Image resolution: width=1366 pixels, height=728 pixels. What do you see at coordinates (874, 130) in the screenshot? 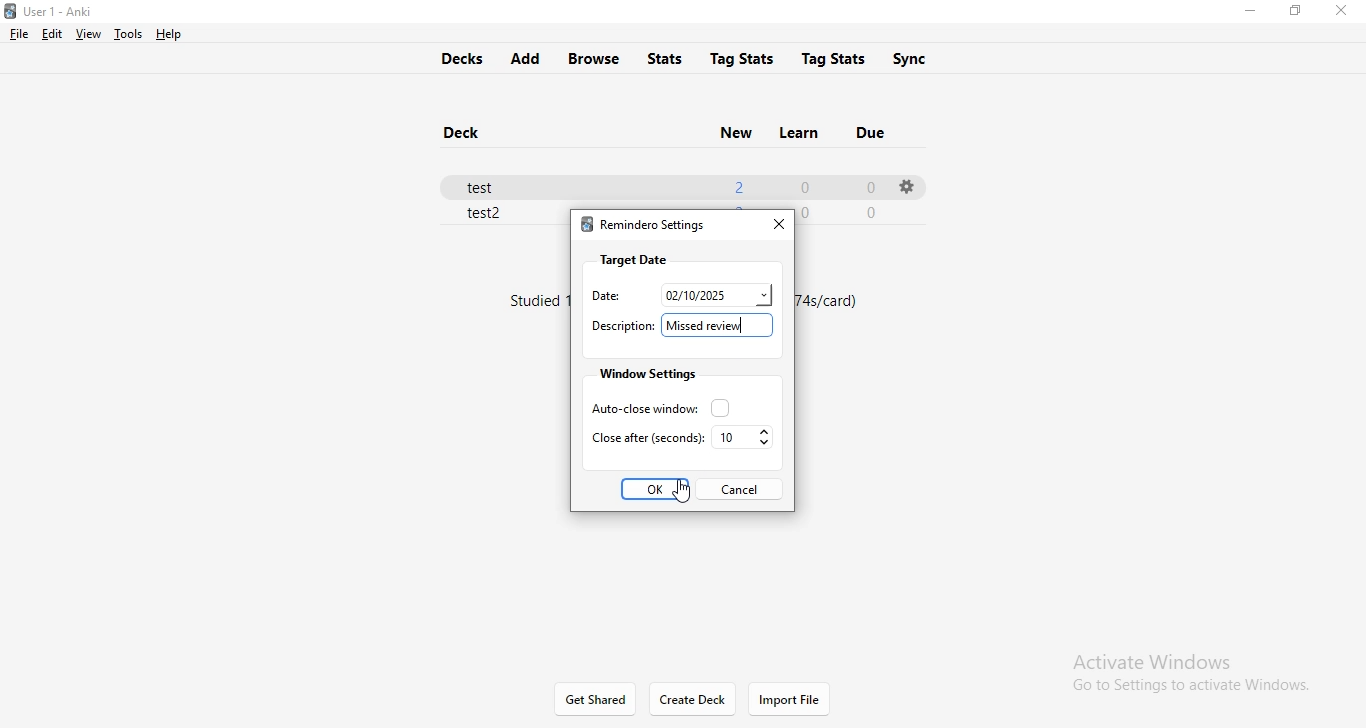
I see `due` at bounding box center [874, 130].